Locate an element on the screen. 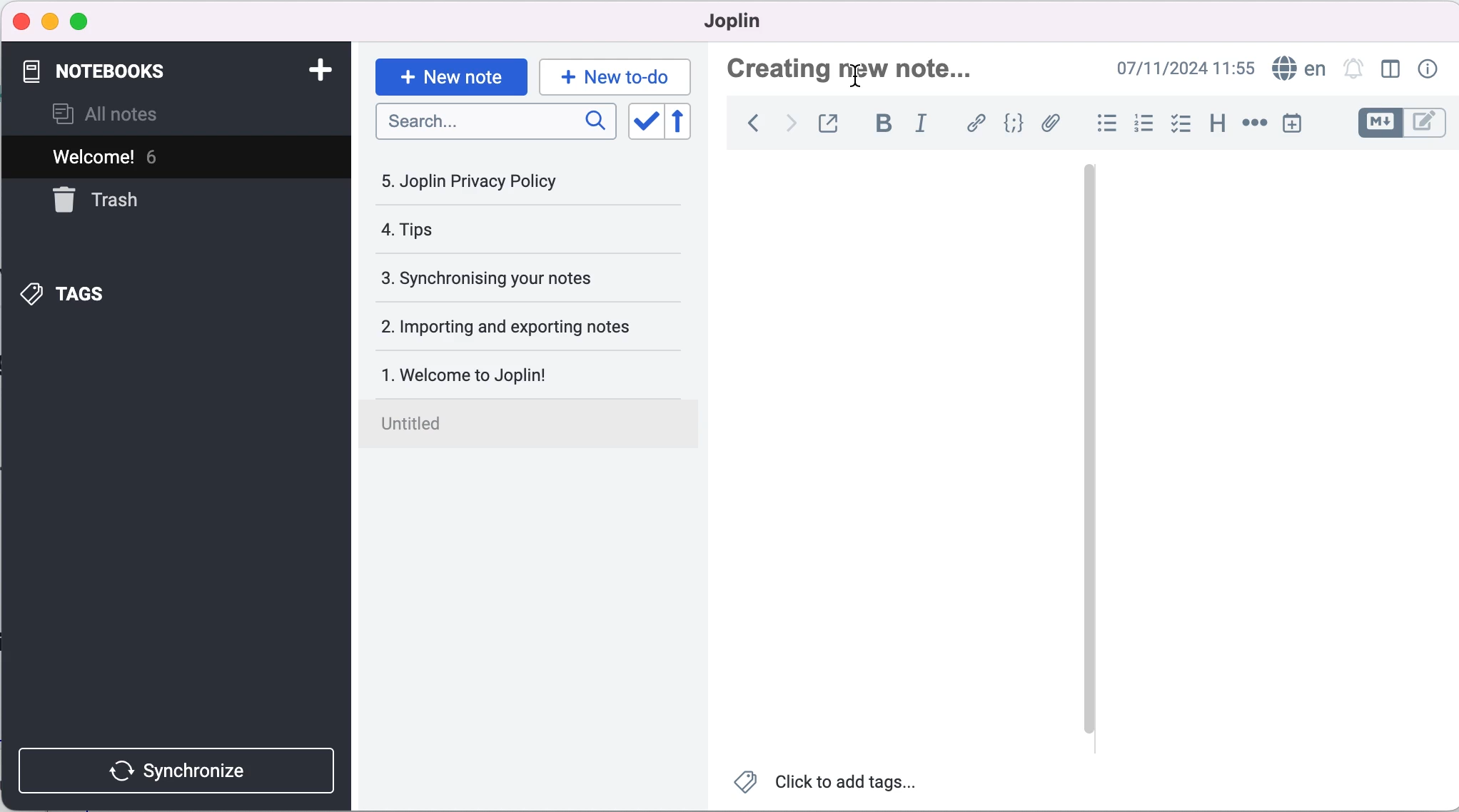 This screenshot has width=1459, height=812. italic is located at coordinates (923, 128).